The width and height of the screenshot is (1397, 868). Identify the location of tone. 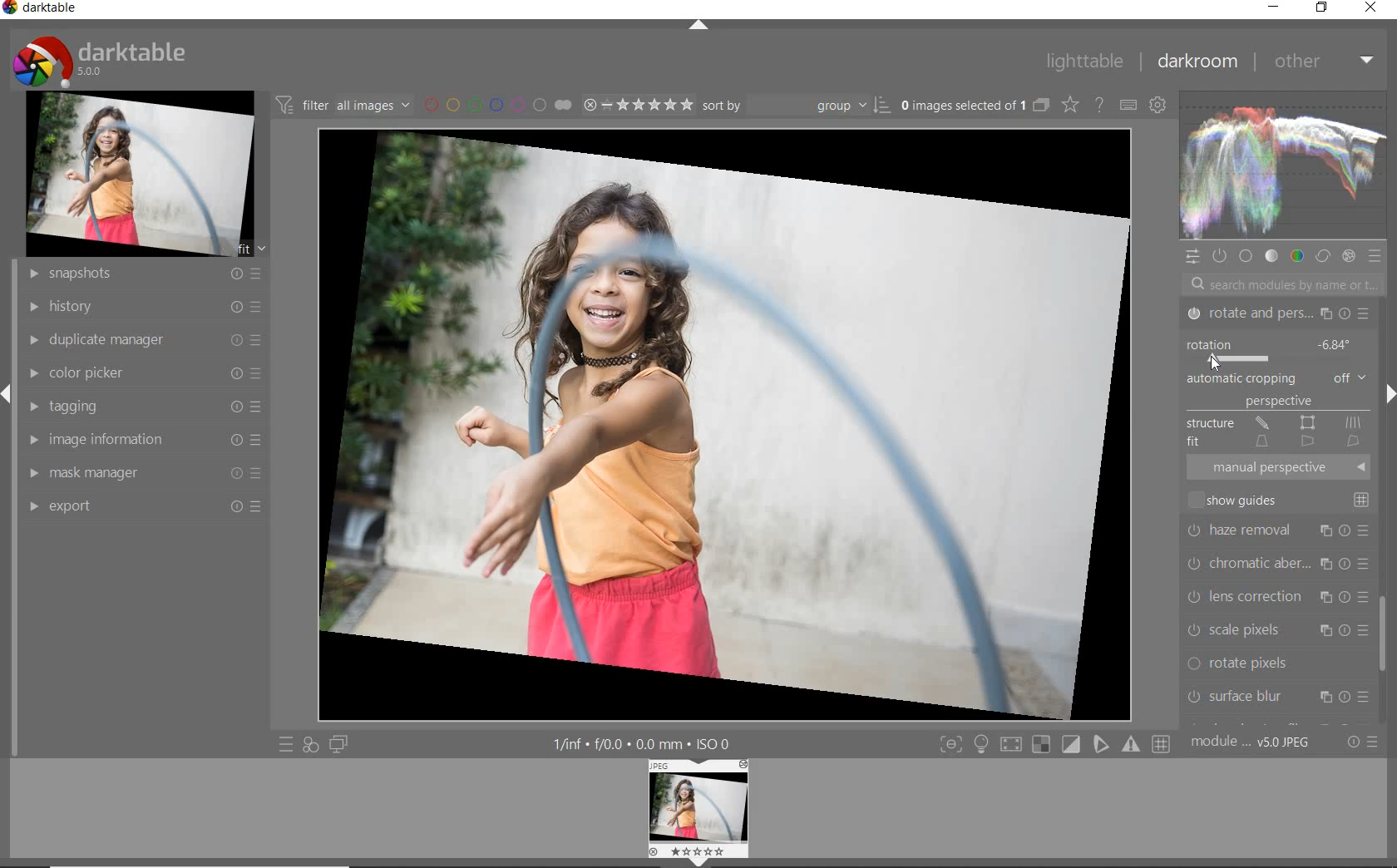
(1271, 256).